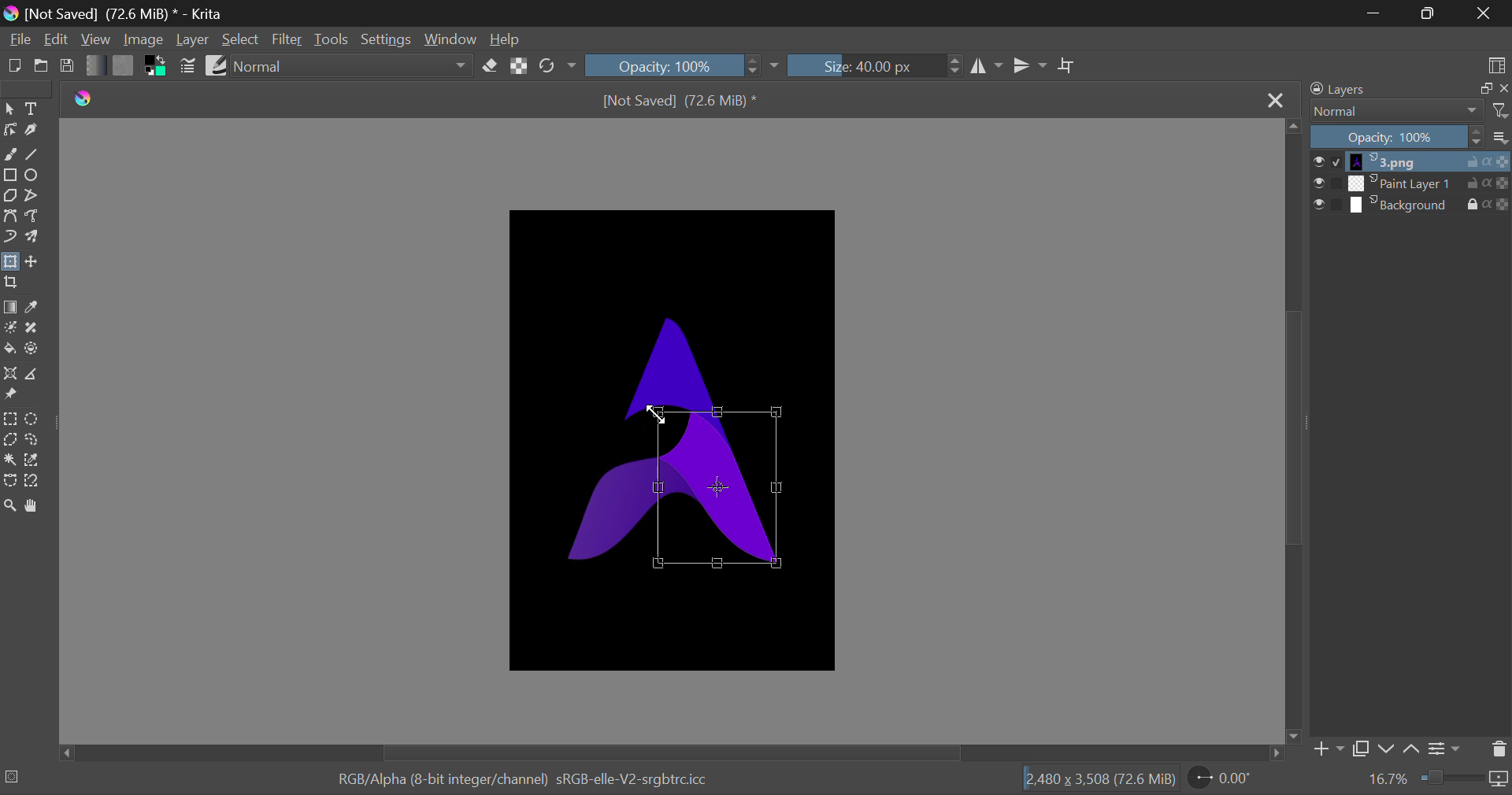 Image resolution: width=1512 pixels, height=795 pixels. Describe the element at coordinates (504, 39) in the screenshot. I see `Help` at that location.